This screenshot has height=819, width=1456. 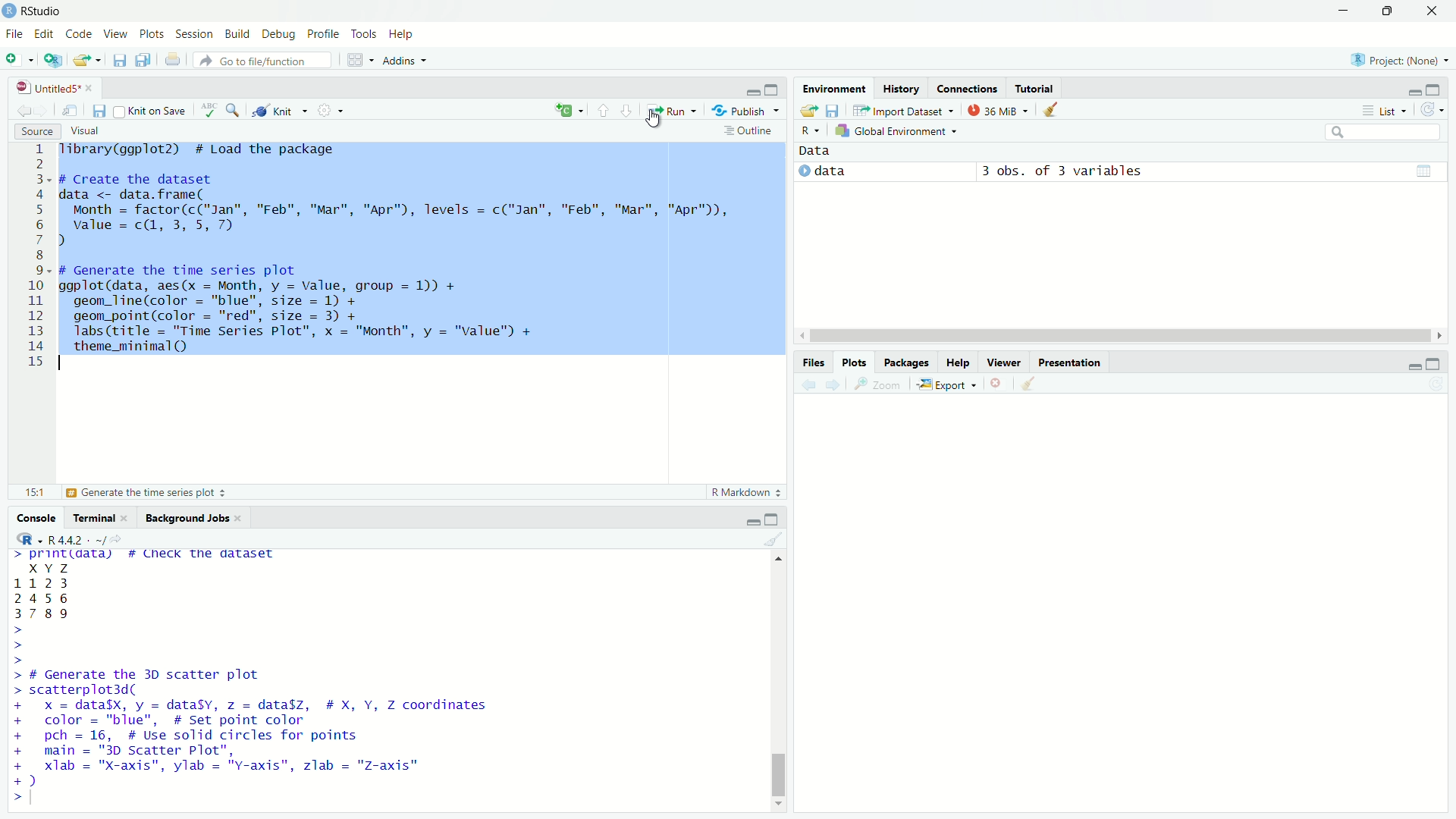 What do you see at coordinates (206, 113) in the screenshot?
I see `spell check` at bounding box center [206, 113].